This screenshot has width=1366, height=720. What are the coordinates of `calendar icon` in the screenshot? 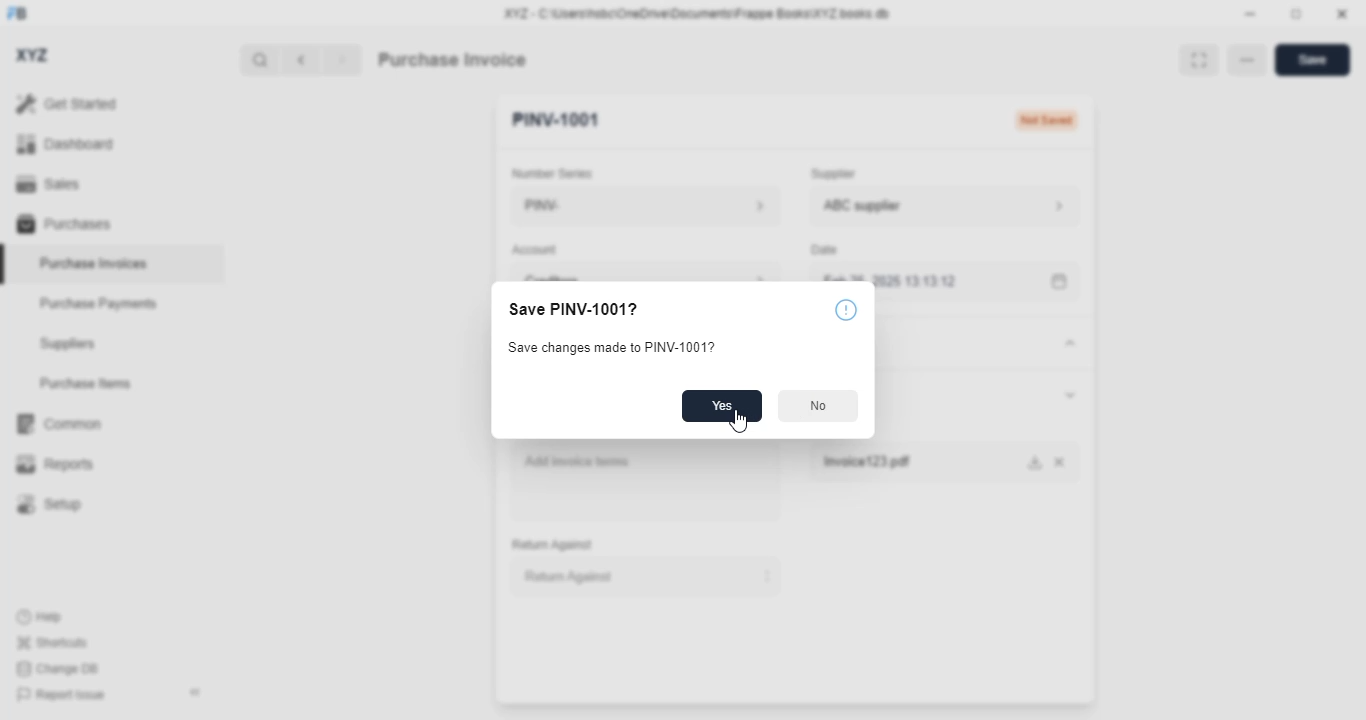 It's located at (1055, 281).